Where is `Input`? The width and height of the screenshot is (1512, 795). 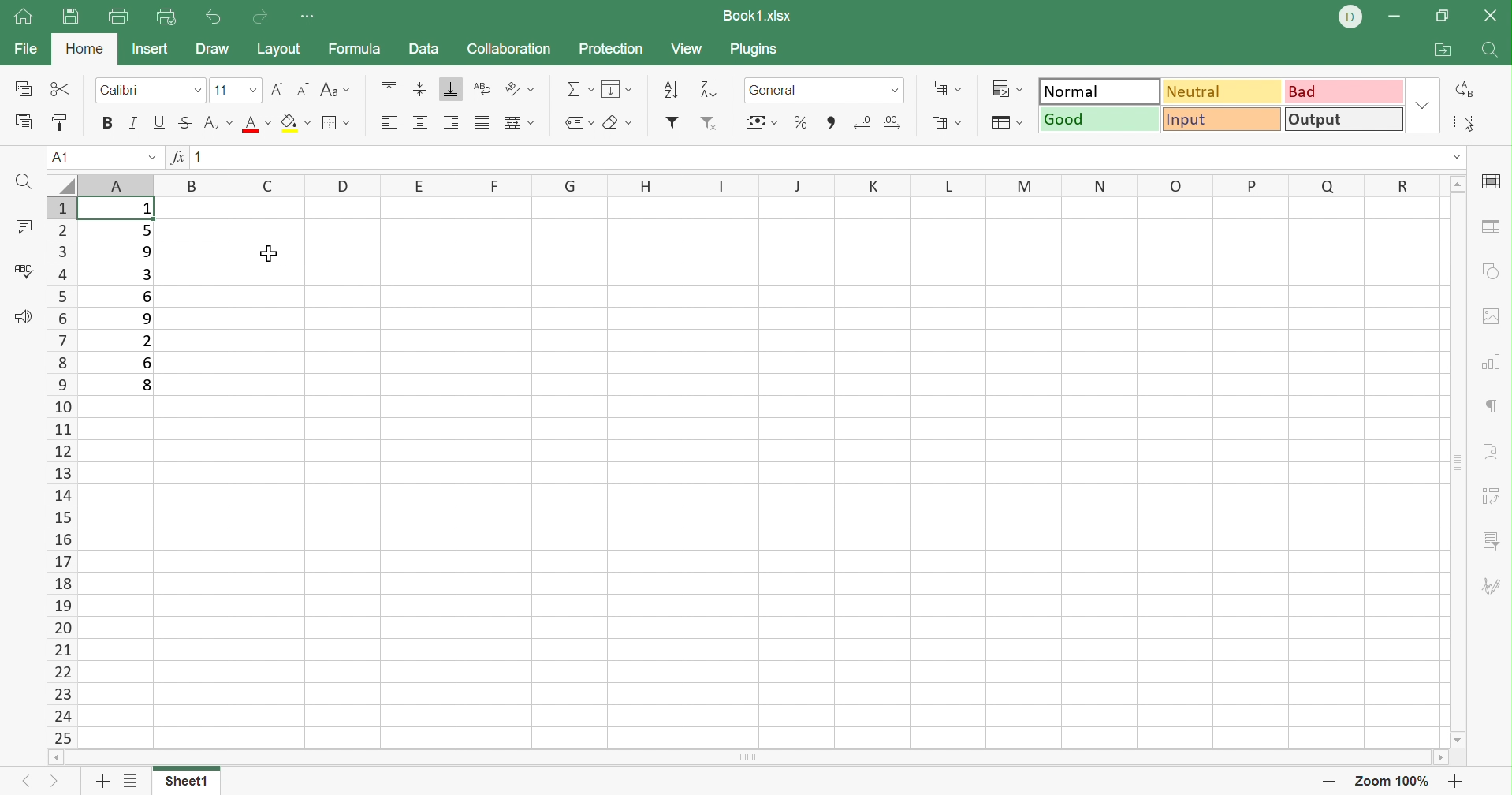 Input is located at coordinates (1220, 120).